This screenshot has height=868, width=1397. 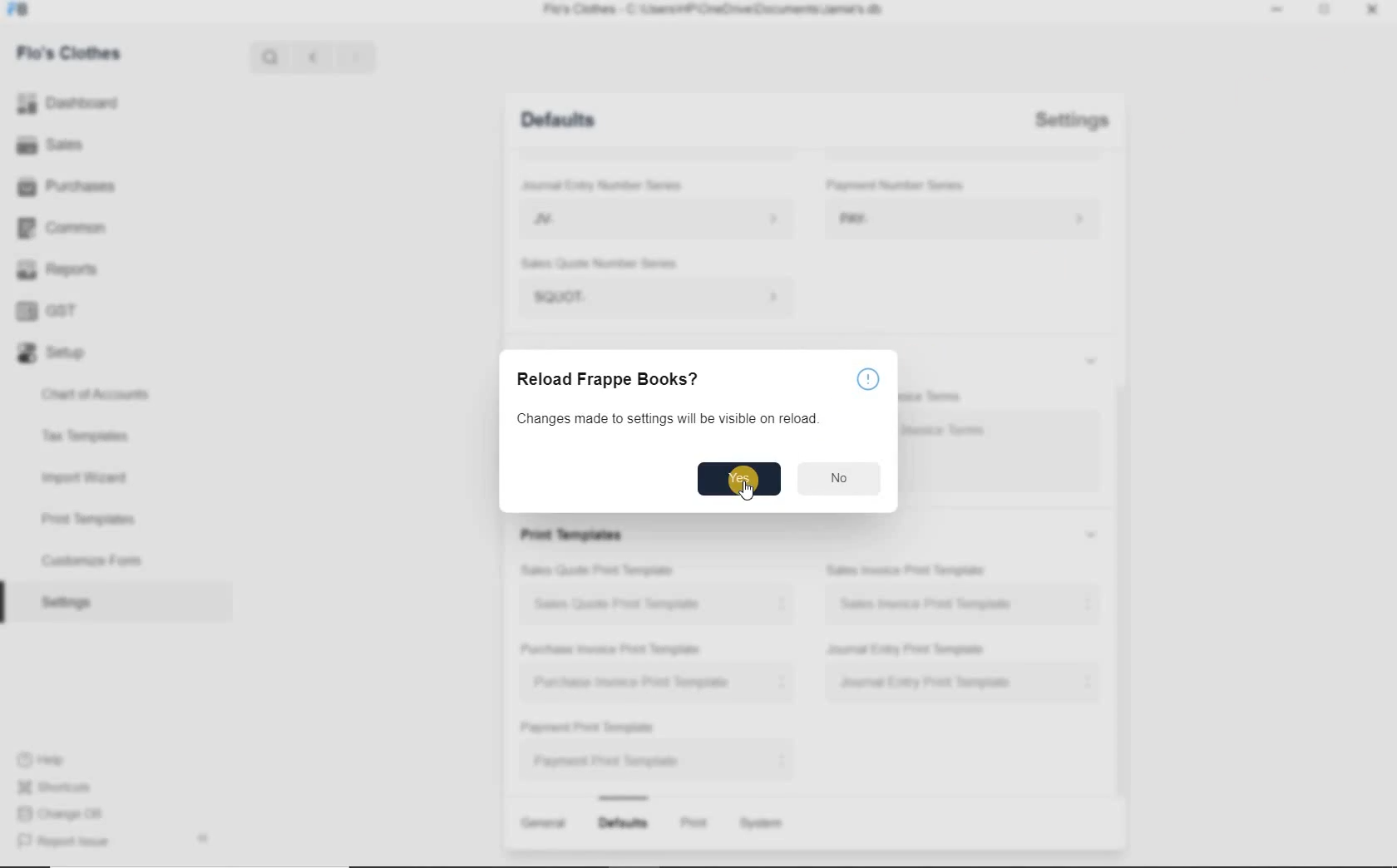 What do you see at coordinates (57, 271) in the screenshot?
I see `Reports` at bounding box center [57, 271].